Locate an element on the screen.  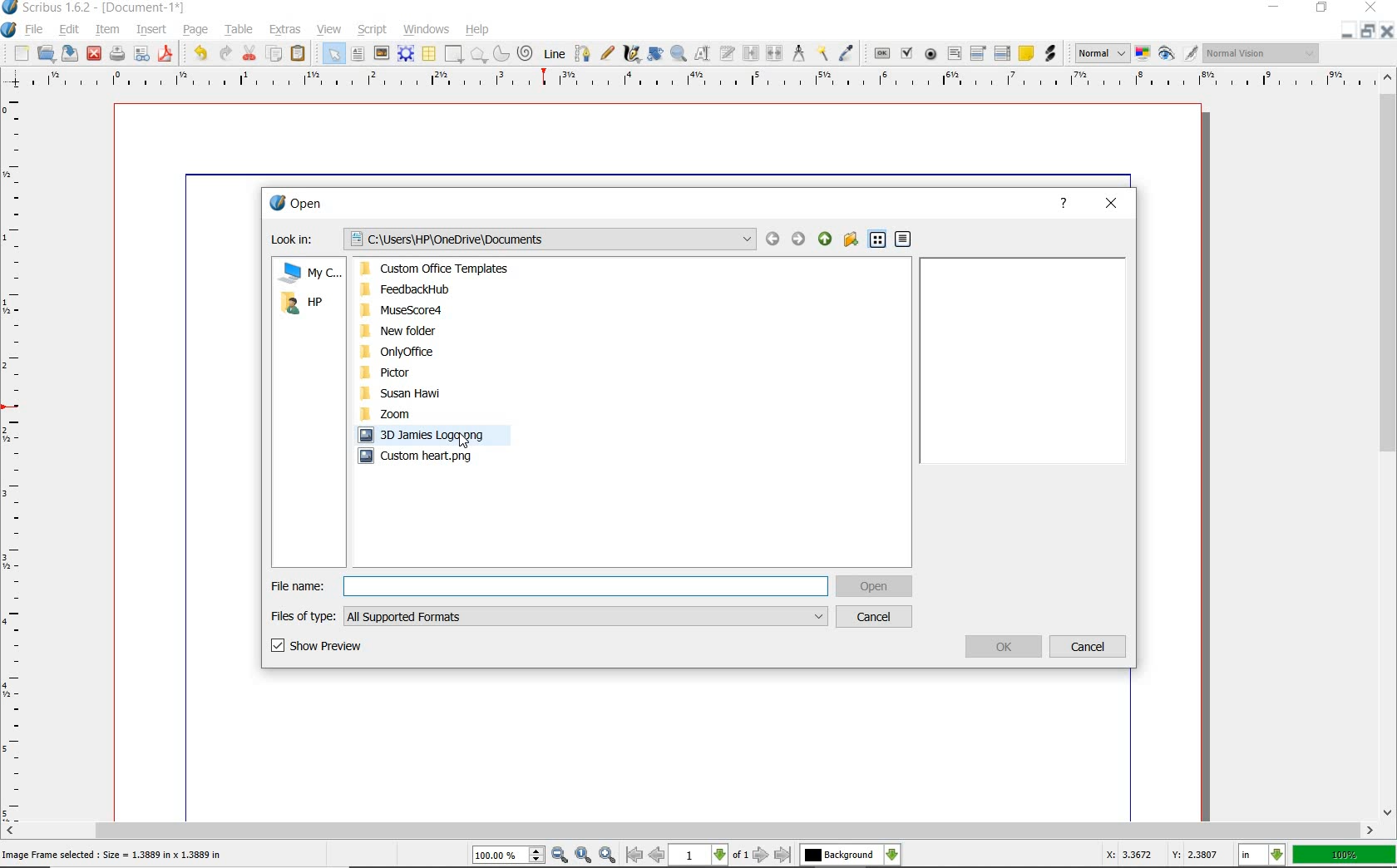
scrollbar is located at coordinates (691, 830).